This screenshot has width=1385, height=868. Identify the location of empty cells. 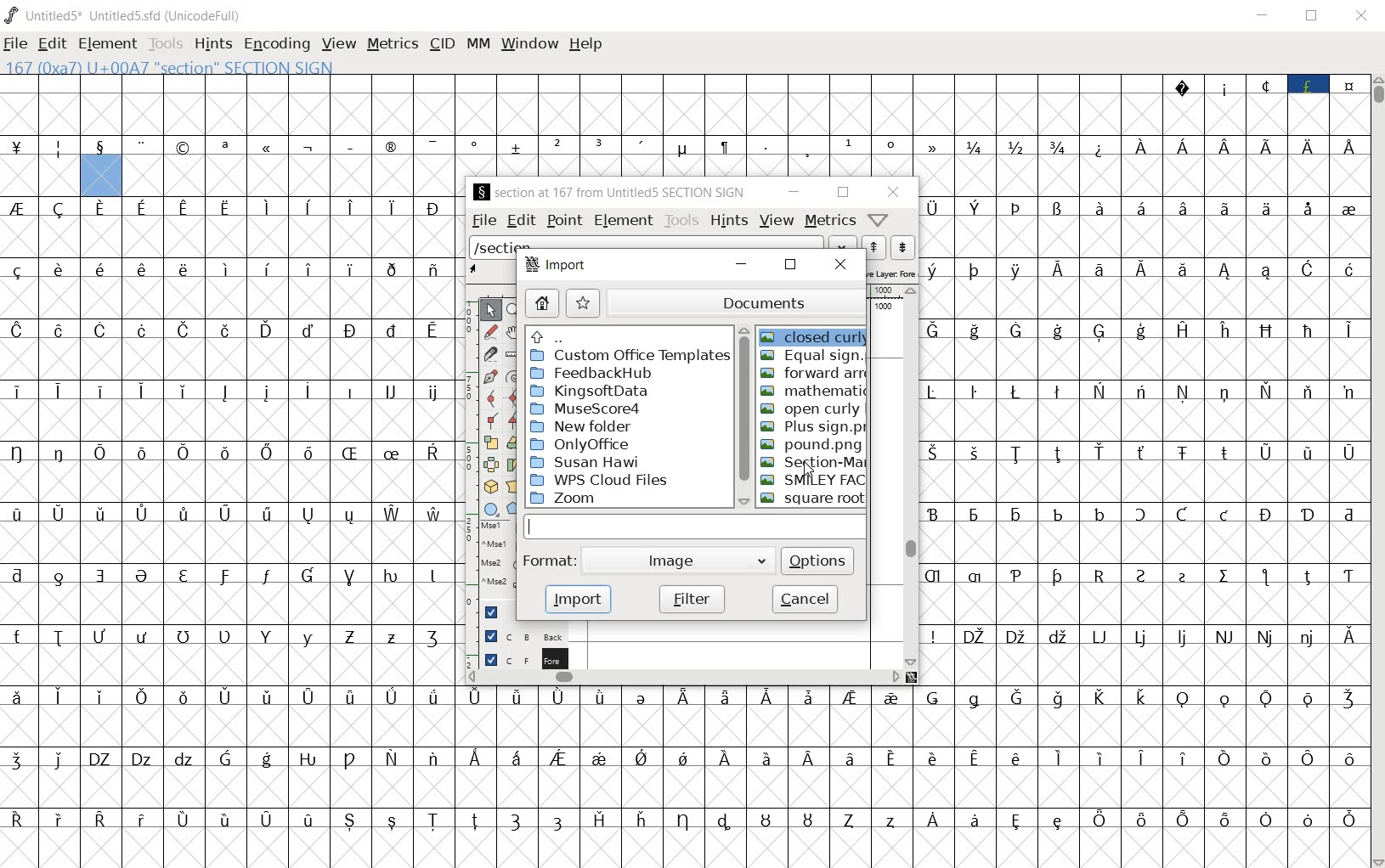
(231, 421).